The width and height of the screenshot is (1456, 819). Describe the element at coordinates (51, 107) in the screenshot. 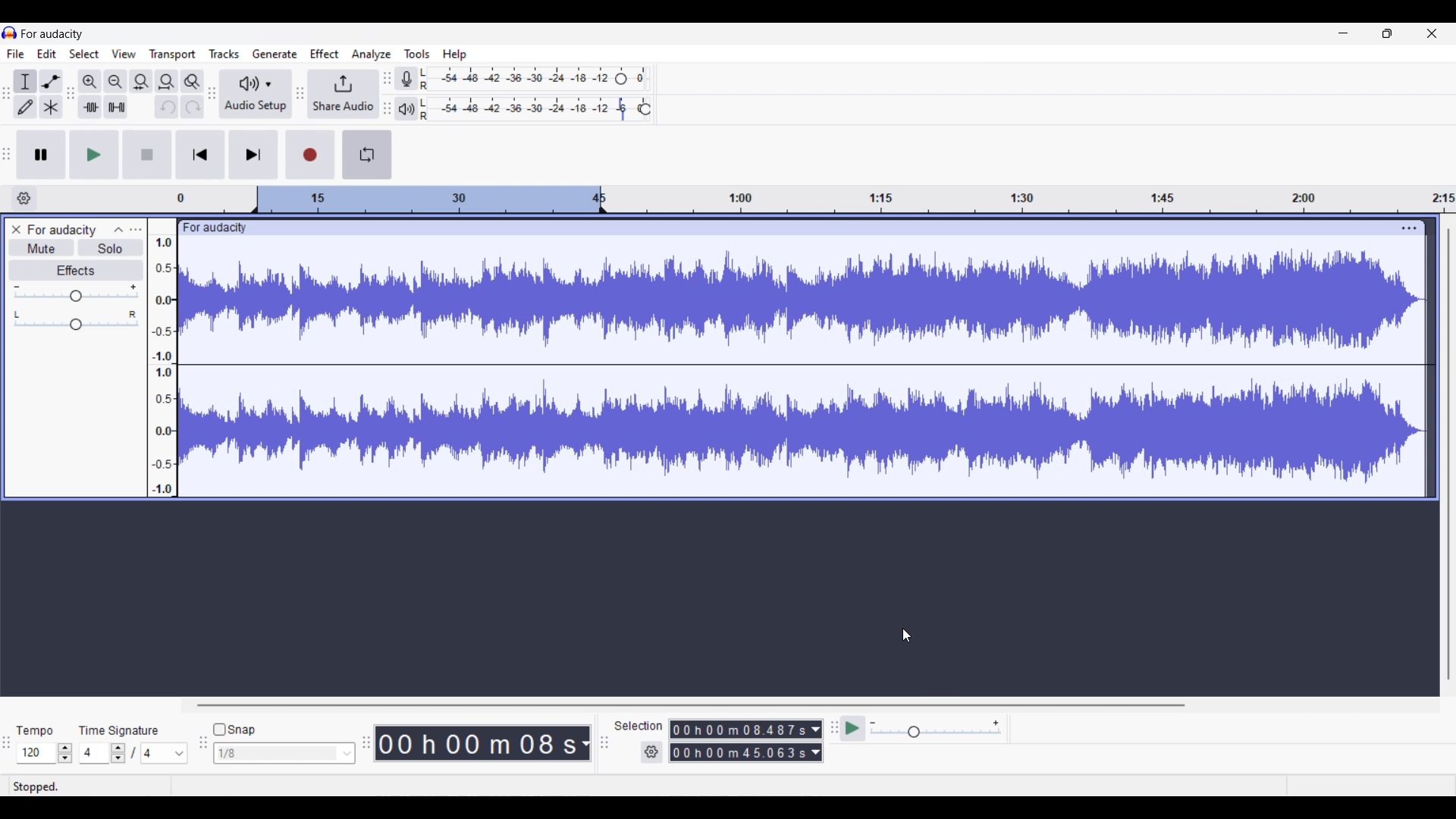

I see `Multi-tool` at that location.